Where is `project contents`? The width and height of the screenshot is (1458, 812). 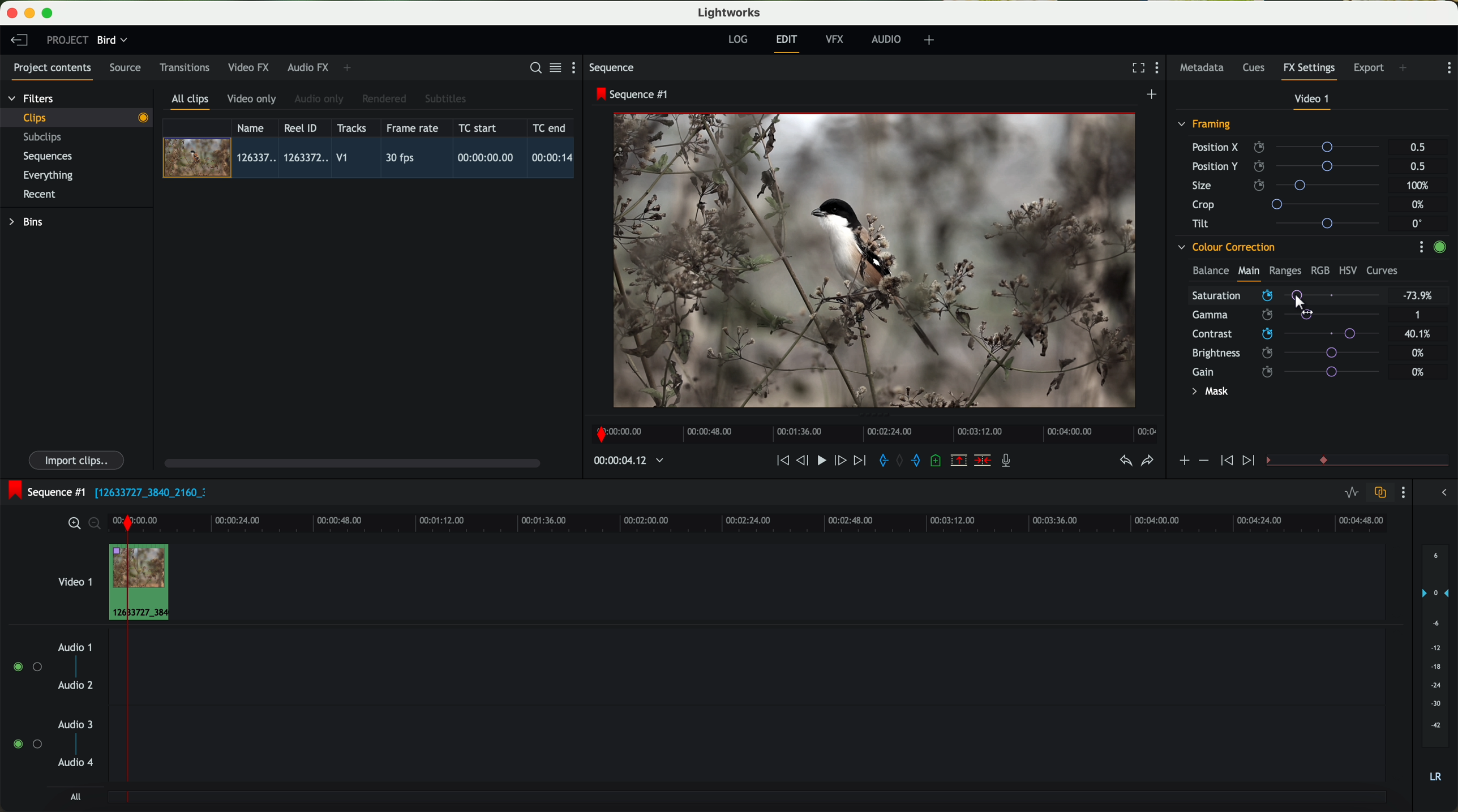 project contents is located at coordinates (53, 71).